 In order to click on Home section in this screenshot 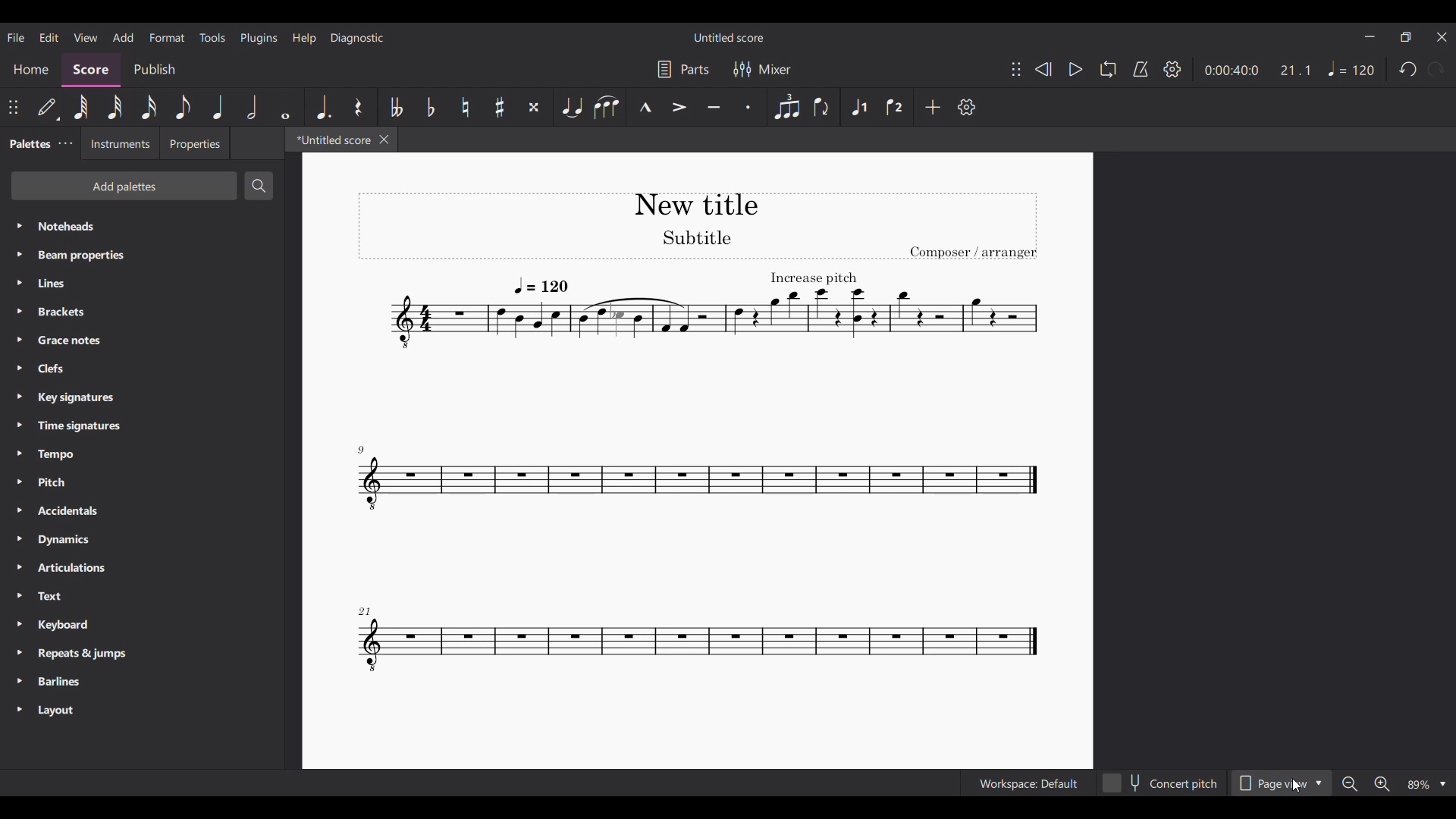, I will do `click(30, 70)`.